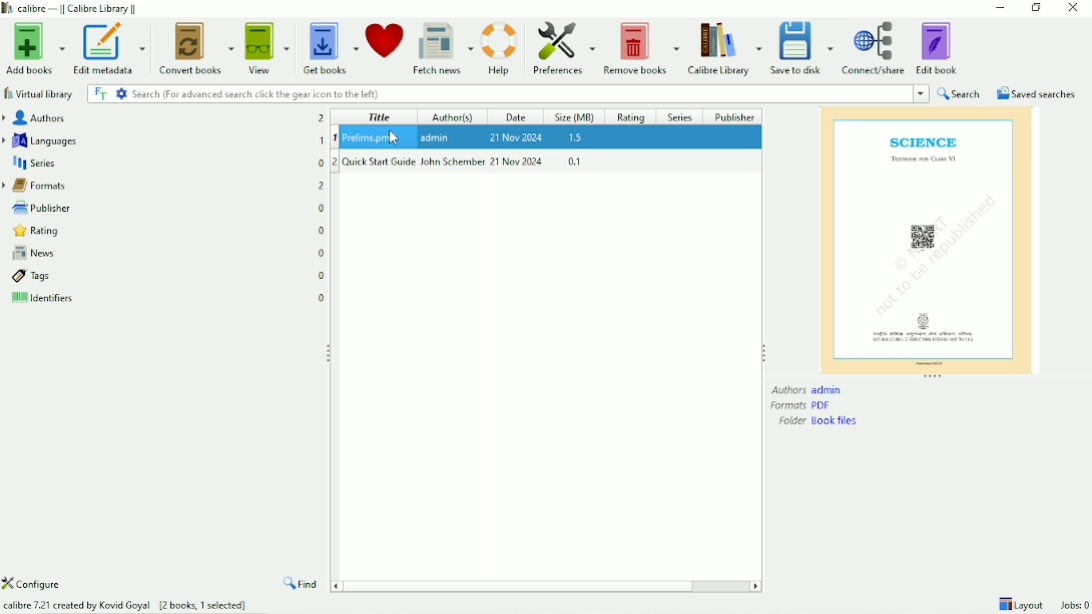  I want to click on Series, so click(681, 116).